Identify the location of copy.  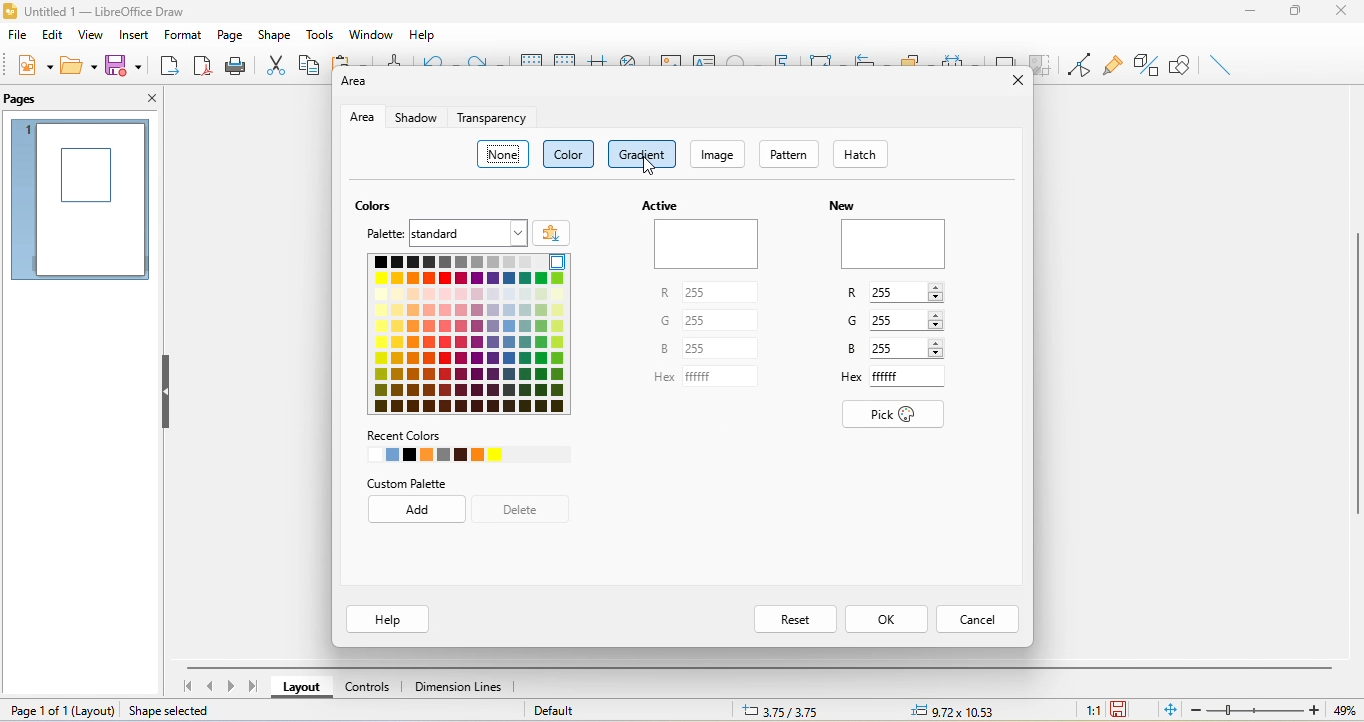
(309, 64).